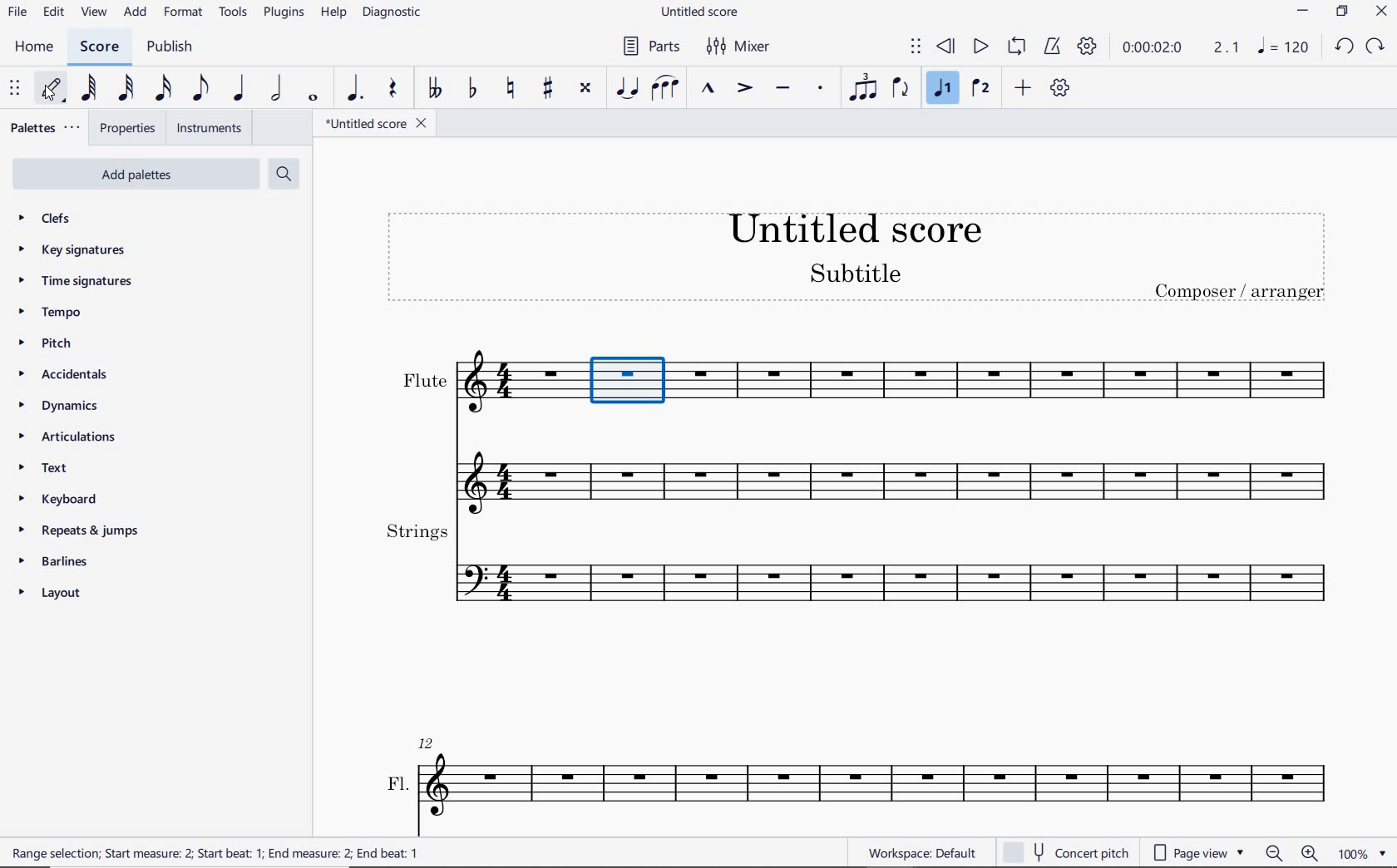 The height and width of the screenshot is (868, 1397). Describe the element at coordinates (627, 87) in the screenshot. I see `tie` at that location.